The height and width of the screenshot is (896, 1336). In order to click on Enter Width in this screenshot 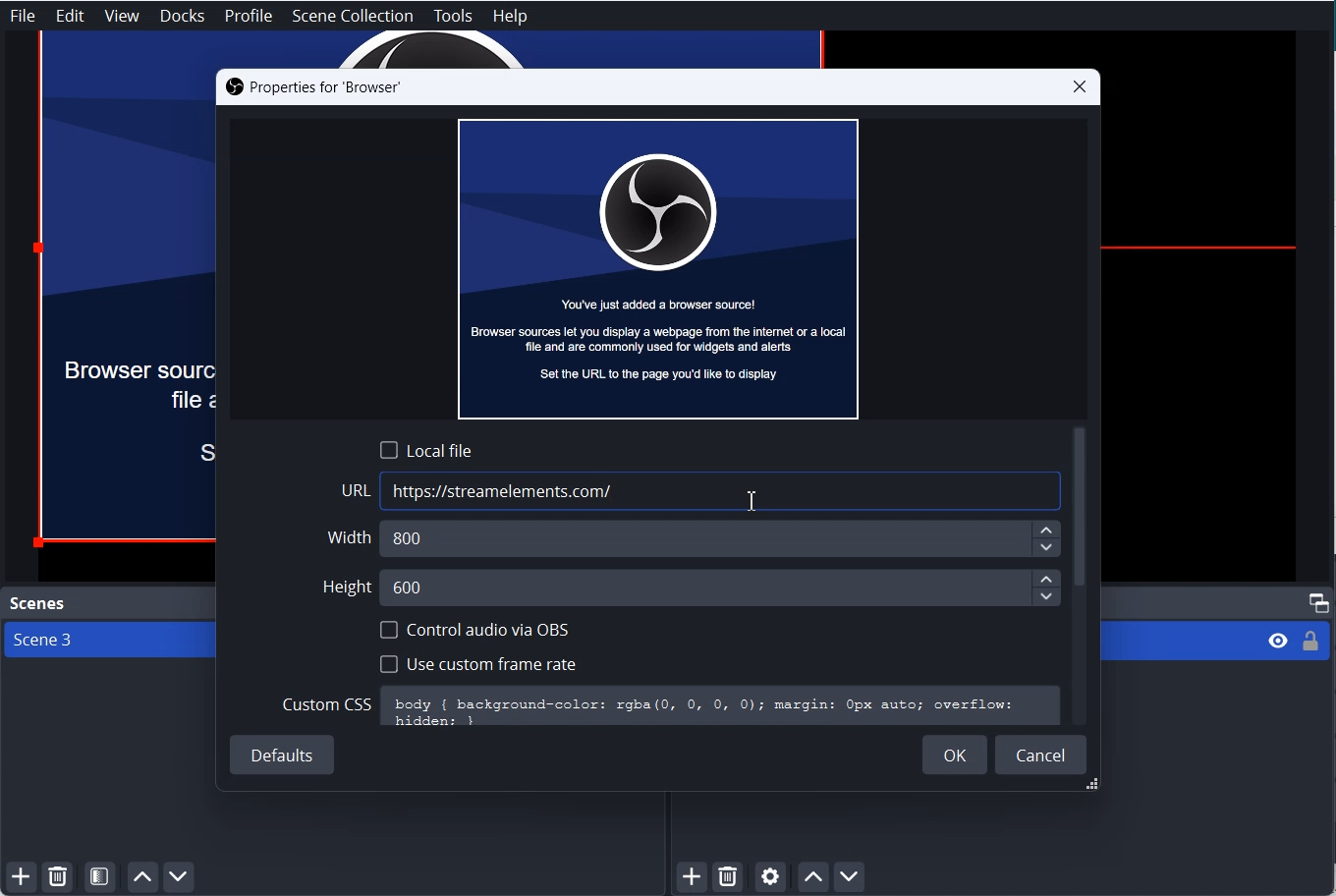, I will do `click(696, 538)`.